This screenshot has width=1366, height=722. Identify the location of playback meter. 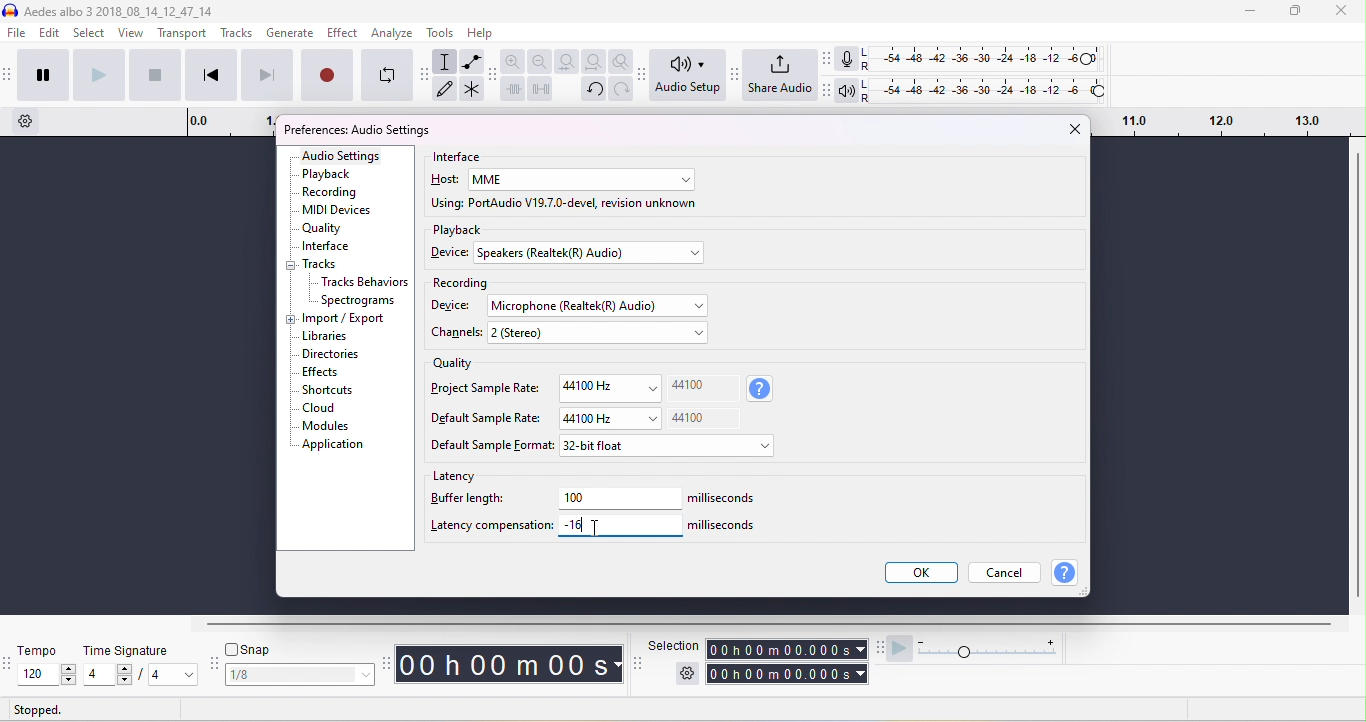
(849, 91).